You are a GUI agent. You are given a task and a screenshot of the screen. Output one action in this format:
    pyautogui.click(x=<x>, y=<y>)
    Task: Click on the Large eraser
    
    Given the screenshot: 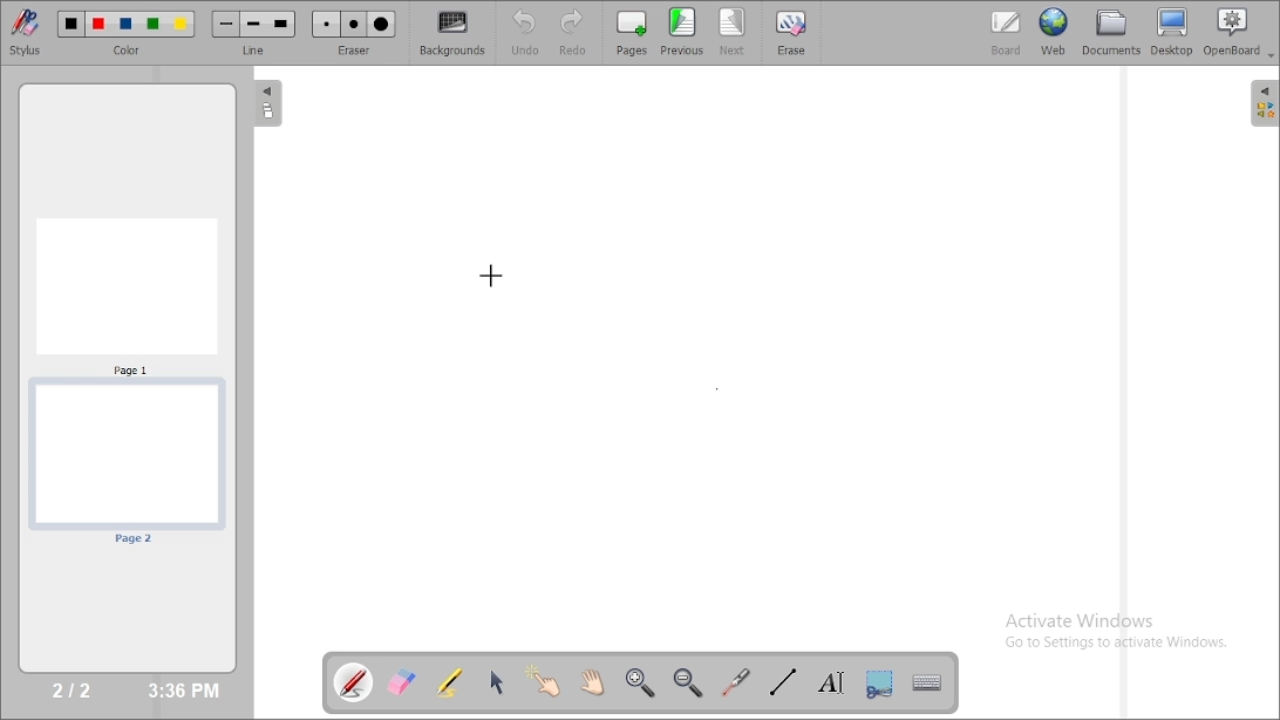 What is the action you would take?
    pyautogui.click(x=382, y=25)
    